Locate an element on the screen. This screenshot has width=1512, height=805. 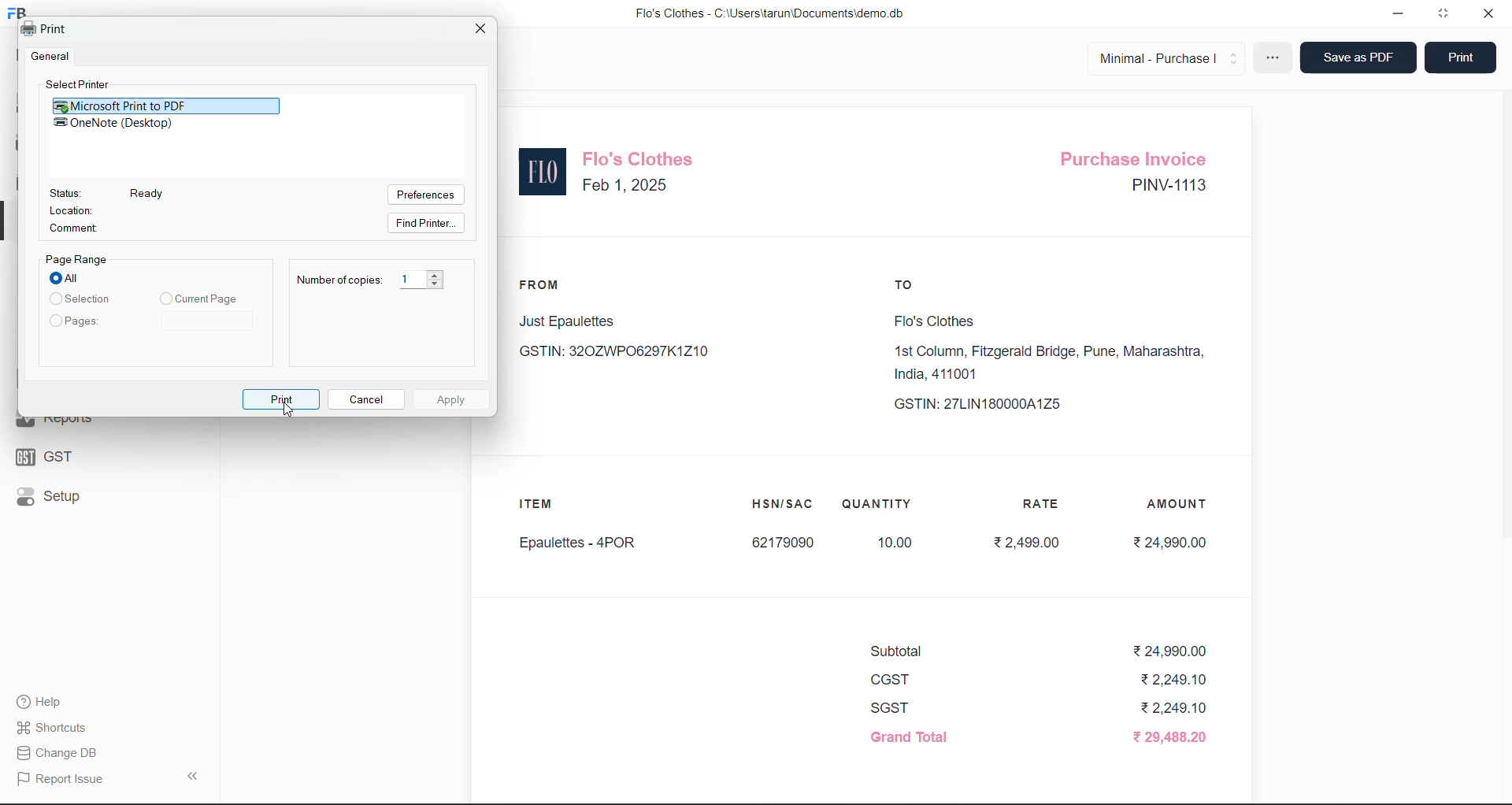
Flo's Clothes
Feb 1, 2025 is located at coordinates (643, 172).